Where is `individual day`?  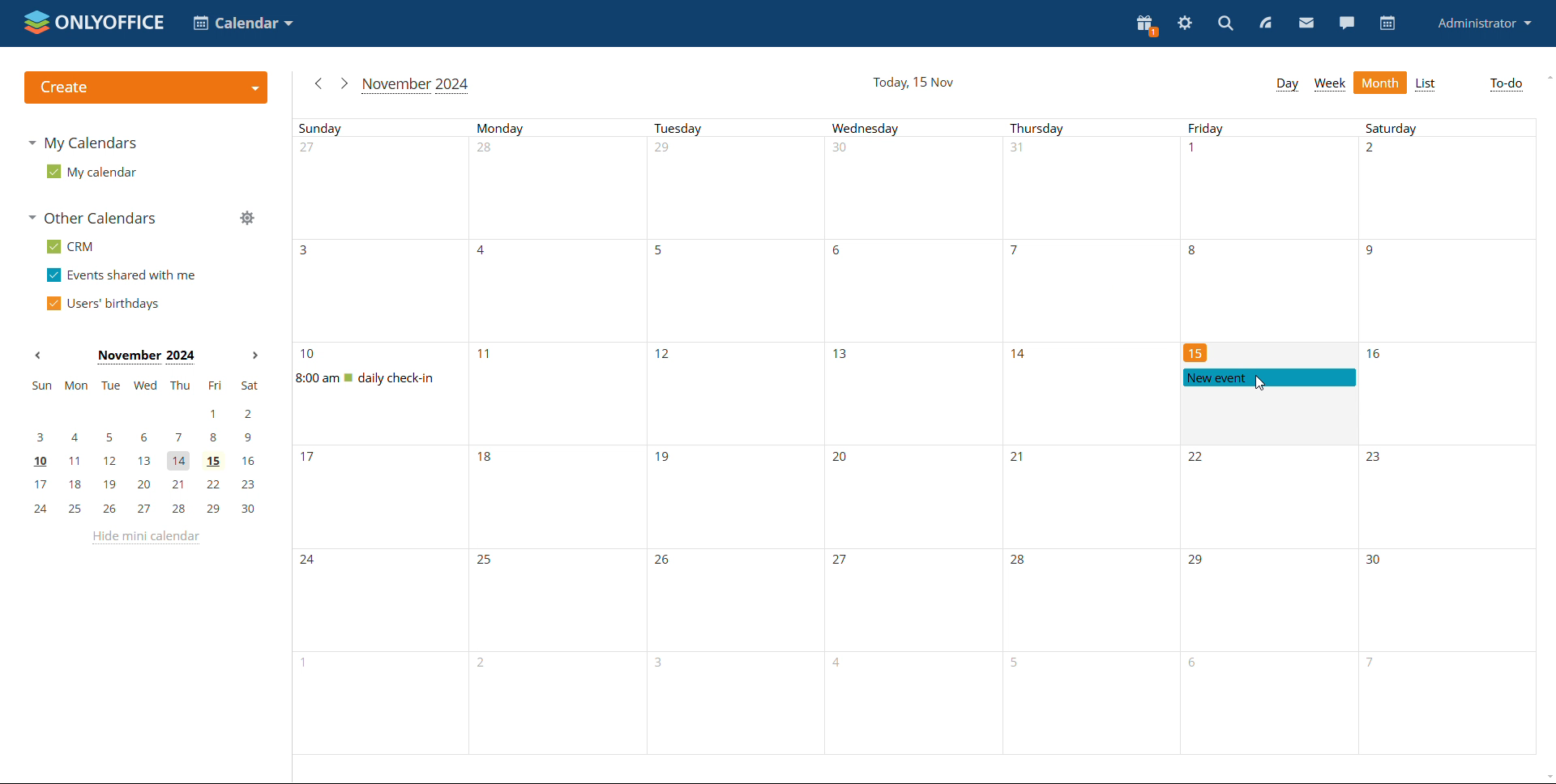 individual day is located at coordinates (387, 128).